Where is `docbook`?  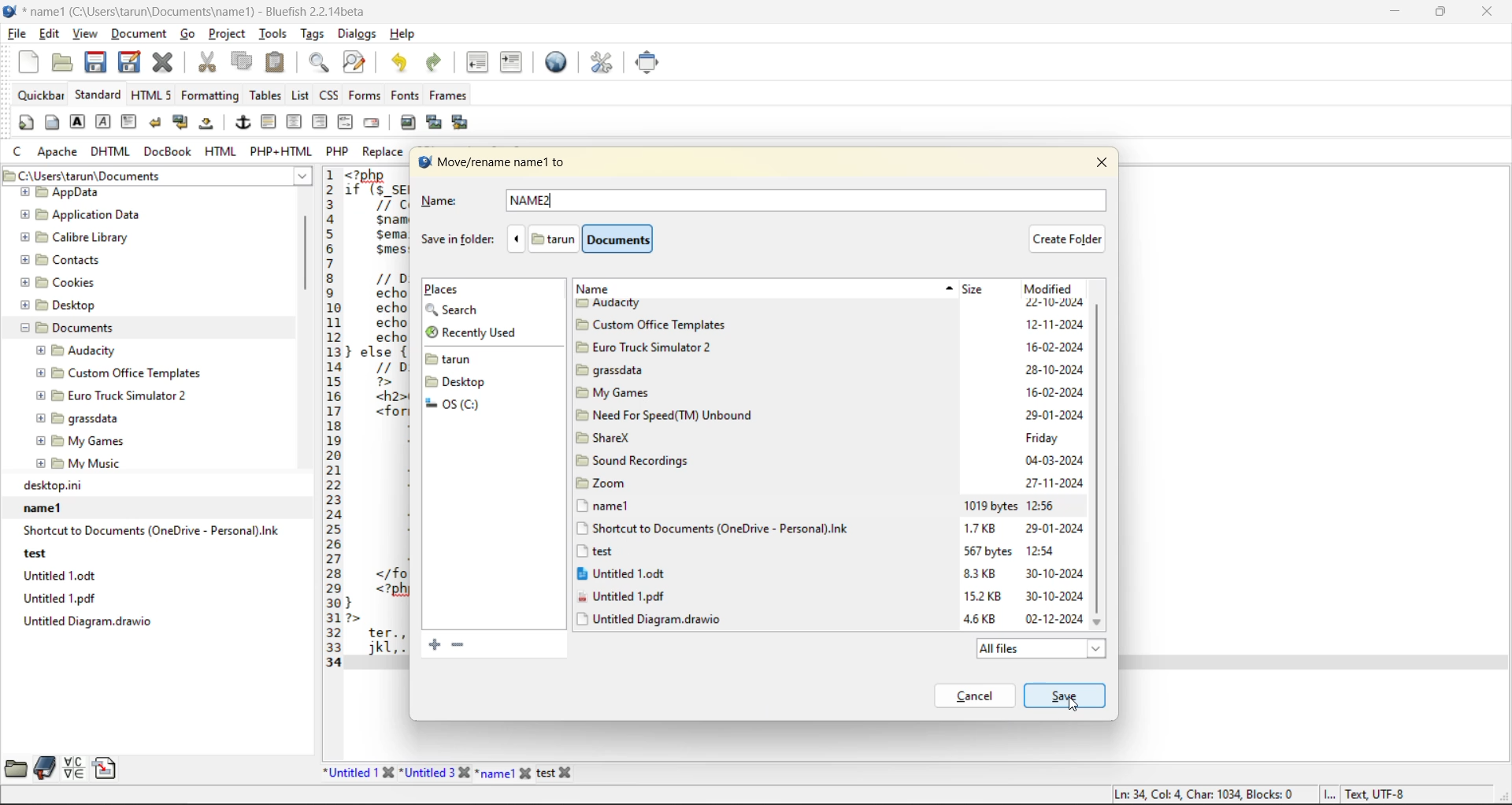
docbook is located at coordinates (168, 152).